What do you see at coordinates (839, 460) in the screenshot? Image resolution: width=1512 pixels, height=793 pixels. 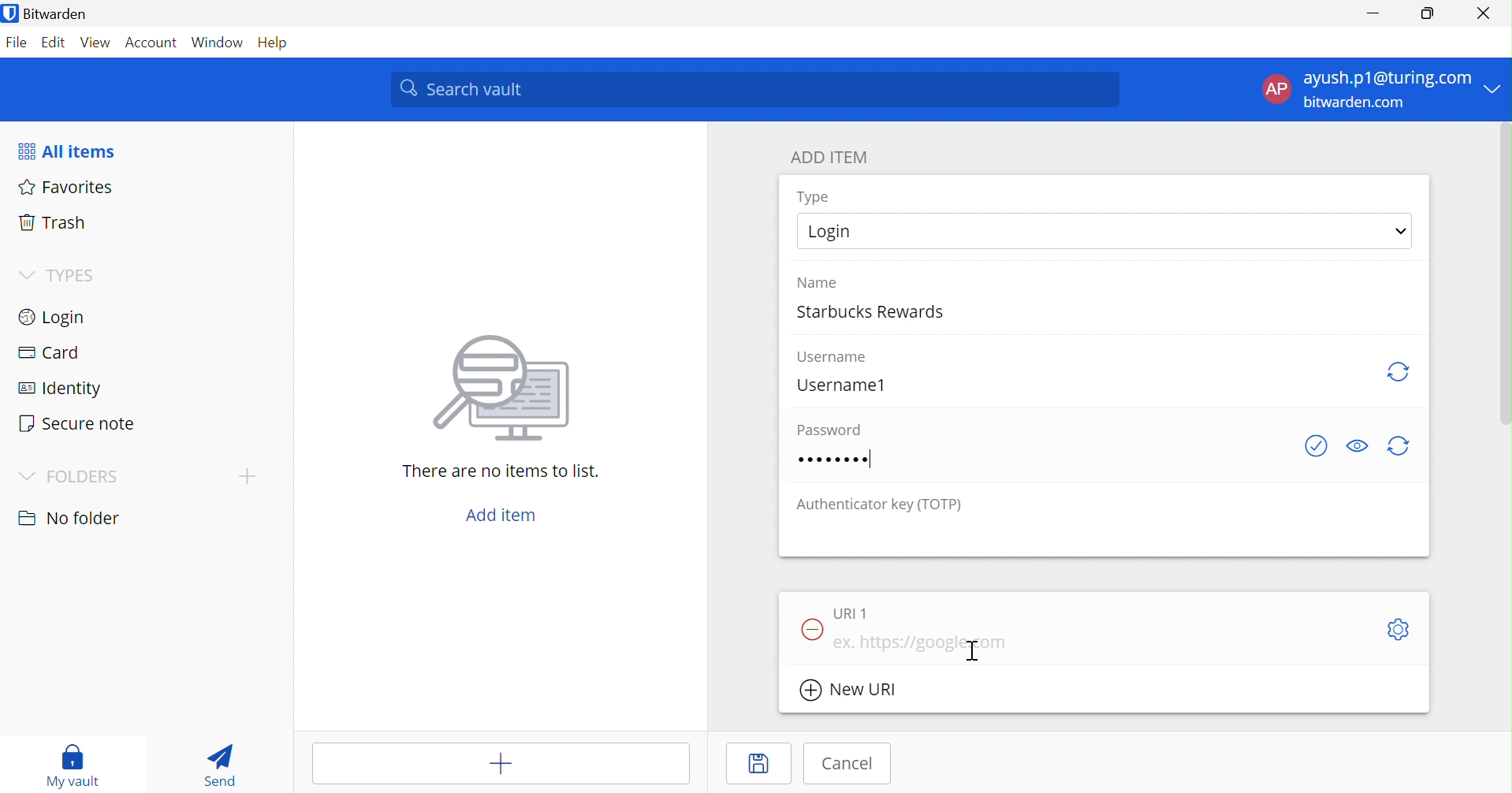 I see `password` at bounding box center [839, 460].